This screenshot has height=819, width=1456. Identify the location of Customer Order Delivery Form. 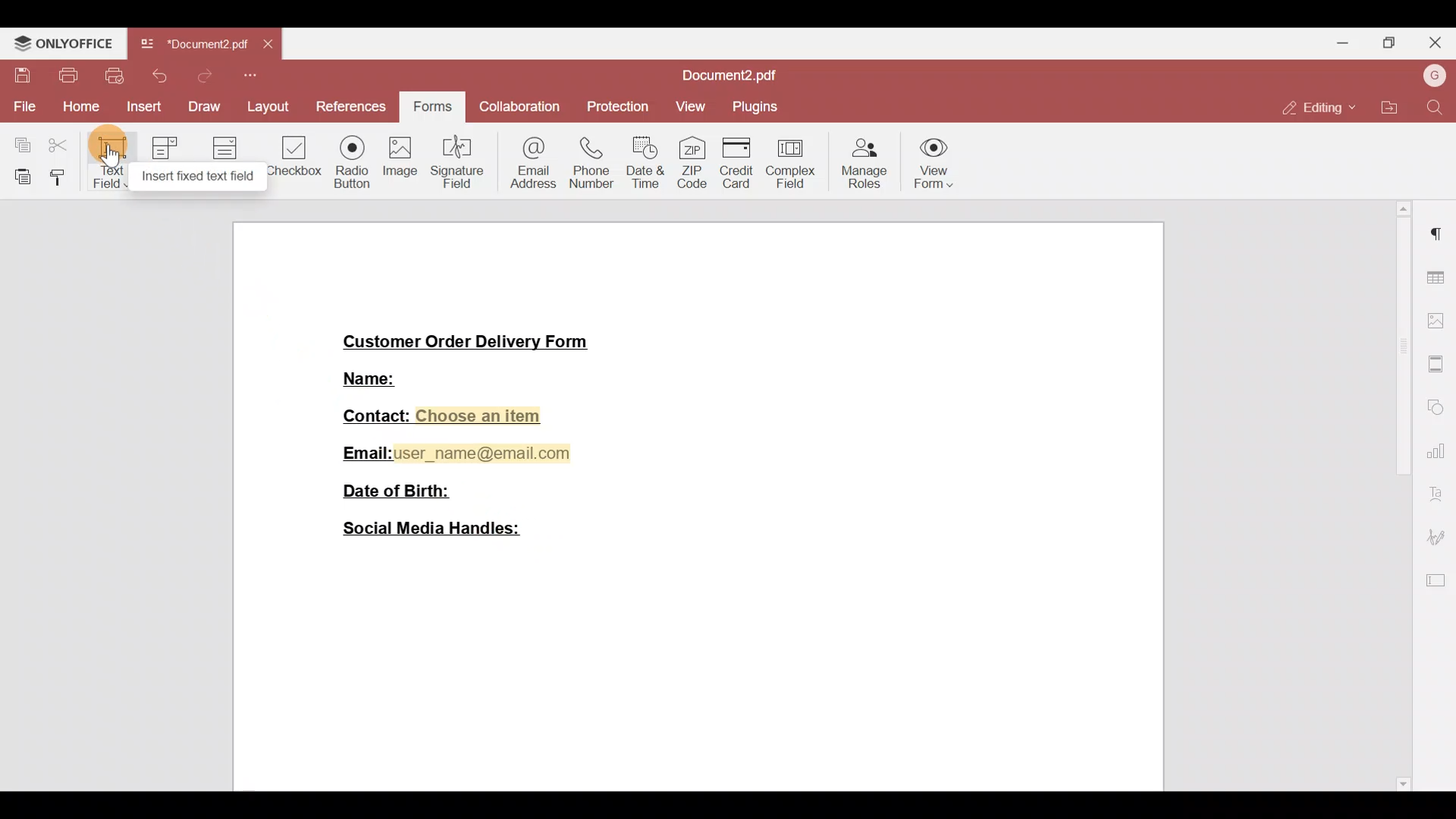
(464, 337).